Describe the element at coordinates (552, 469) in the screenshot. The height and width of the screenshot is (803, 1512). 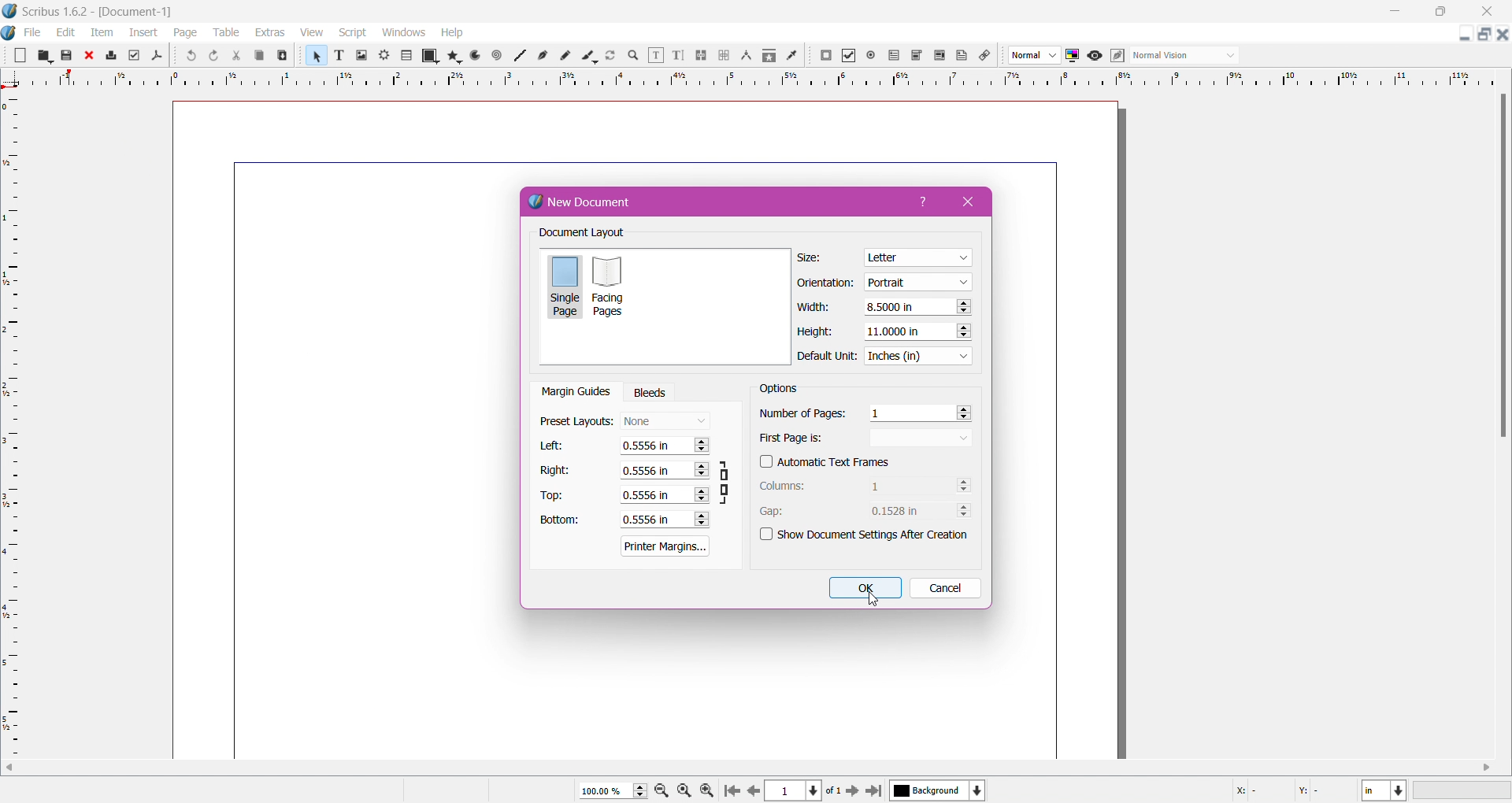
I see `right` at that location.